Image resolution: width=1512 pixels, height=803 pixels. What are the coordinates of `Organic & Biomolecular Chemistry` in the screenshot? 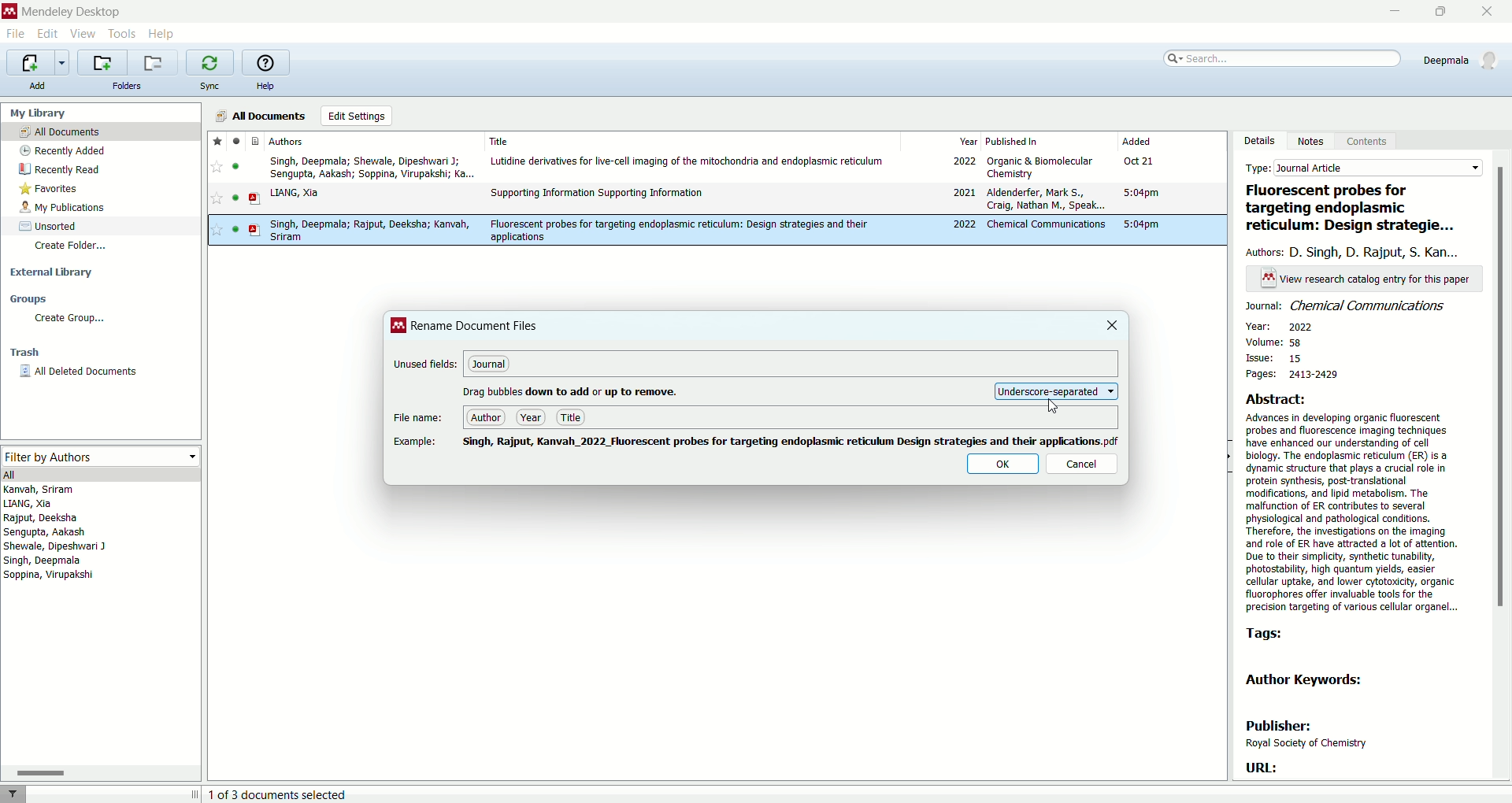 It's located at (1041, 167).